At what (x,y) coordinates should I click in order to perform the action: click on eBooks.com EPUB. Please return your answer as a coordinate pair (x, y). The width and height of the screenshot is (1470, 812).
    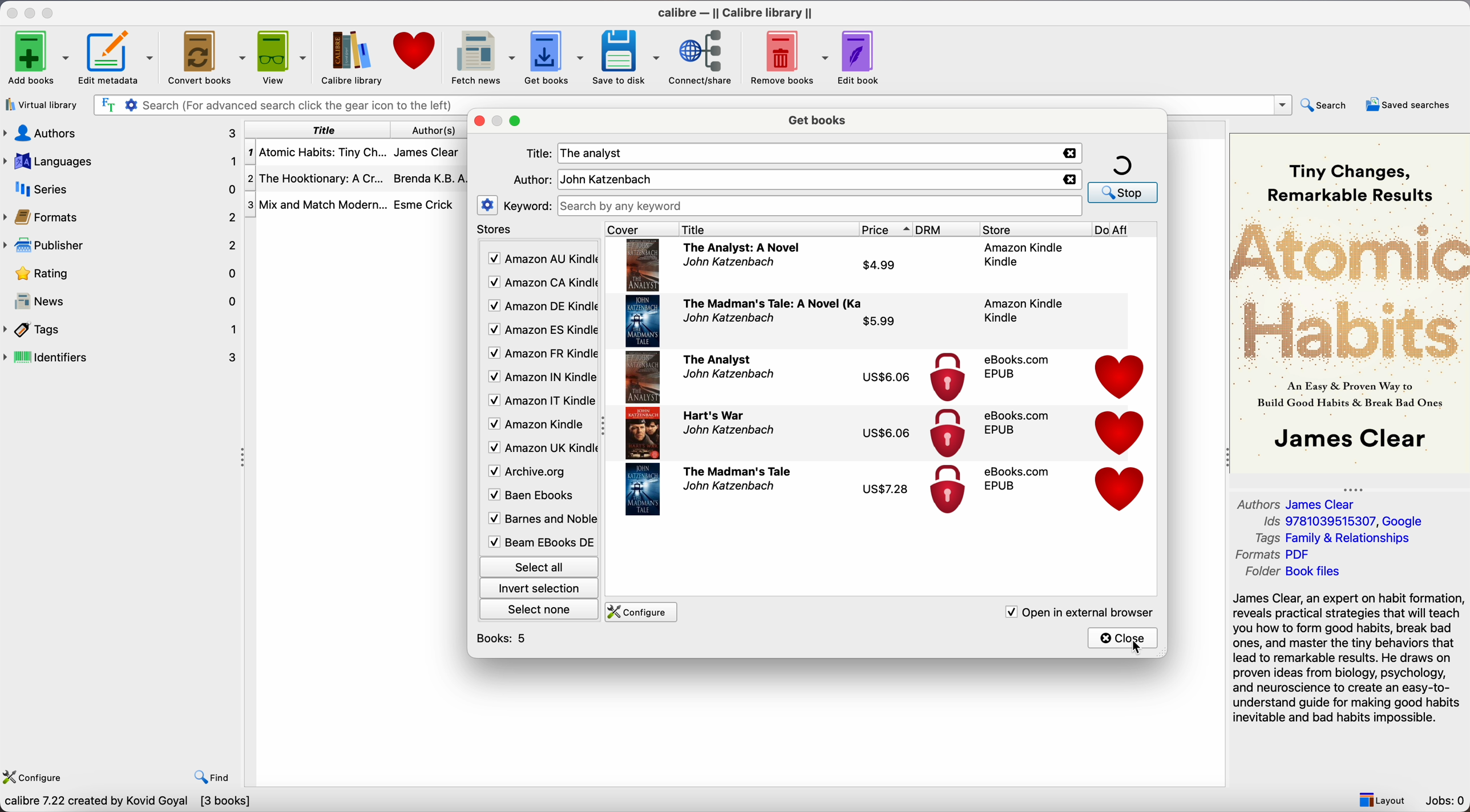
    Looking at the image, I should click on (1017, 479).